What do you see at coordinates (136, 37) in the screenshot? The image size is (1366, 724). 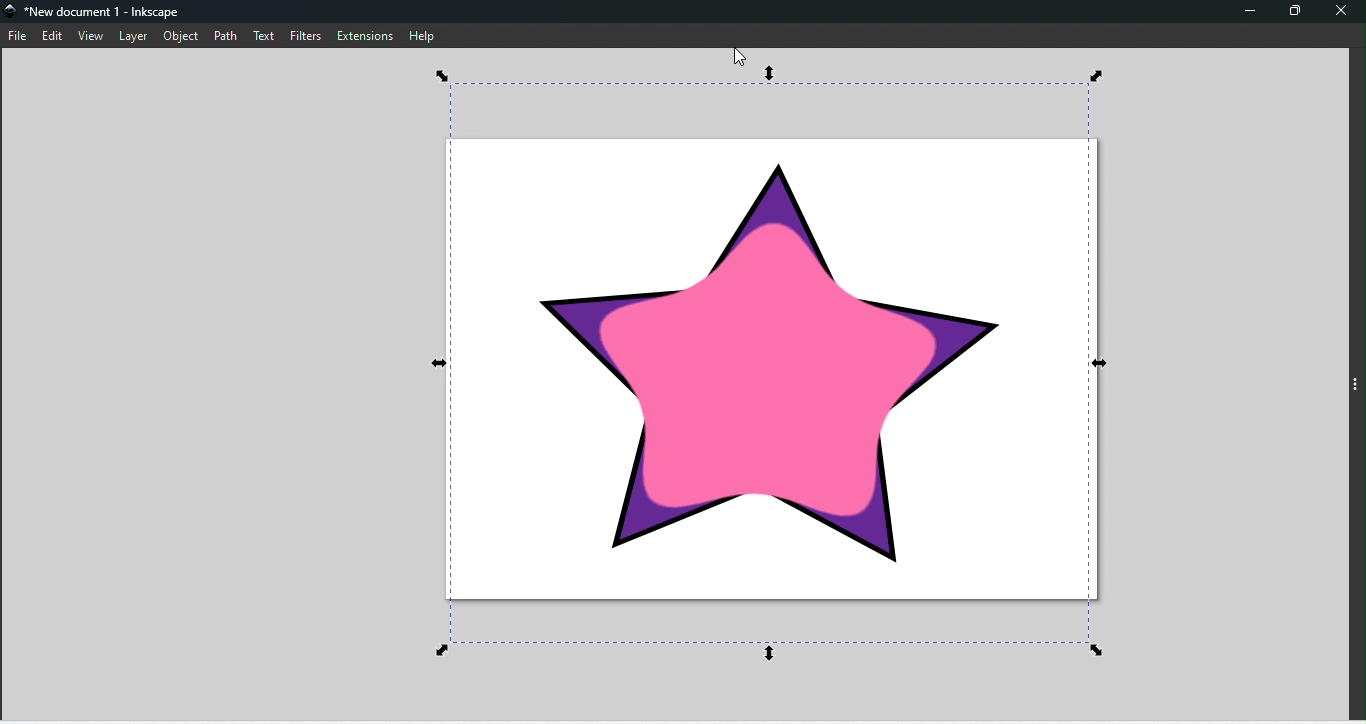 I see `Layer` at bounding box center [136, 37].